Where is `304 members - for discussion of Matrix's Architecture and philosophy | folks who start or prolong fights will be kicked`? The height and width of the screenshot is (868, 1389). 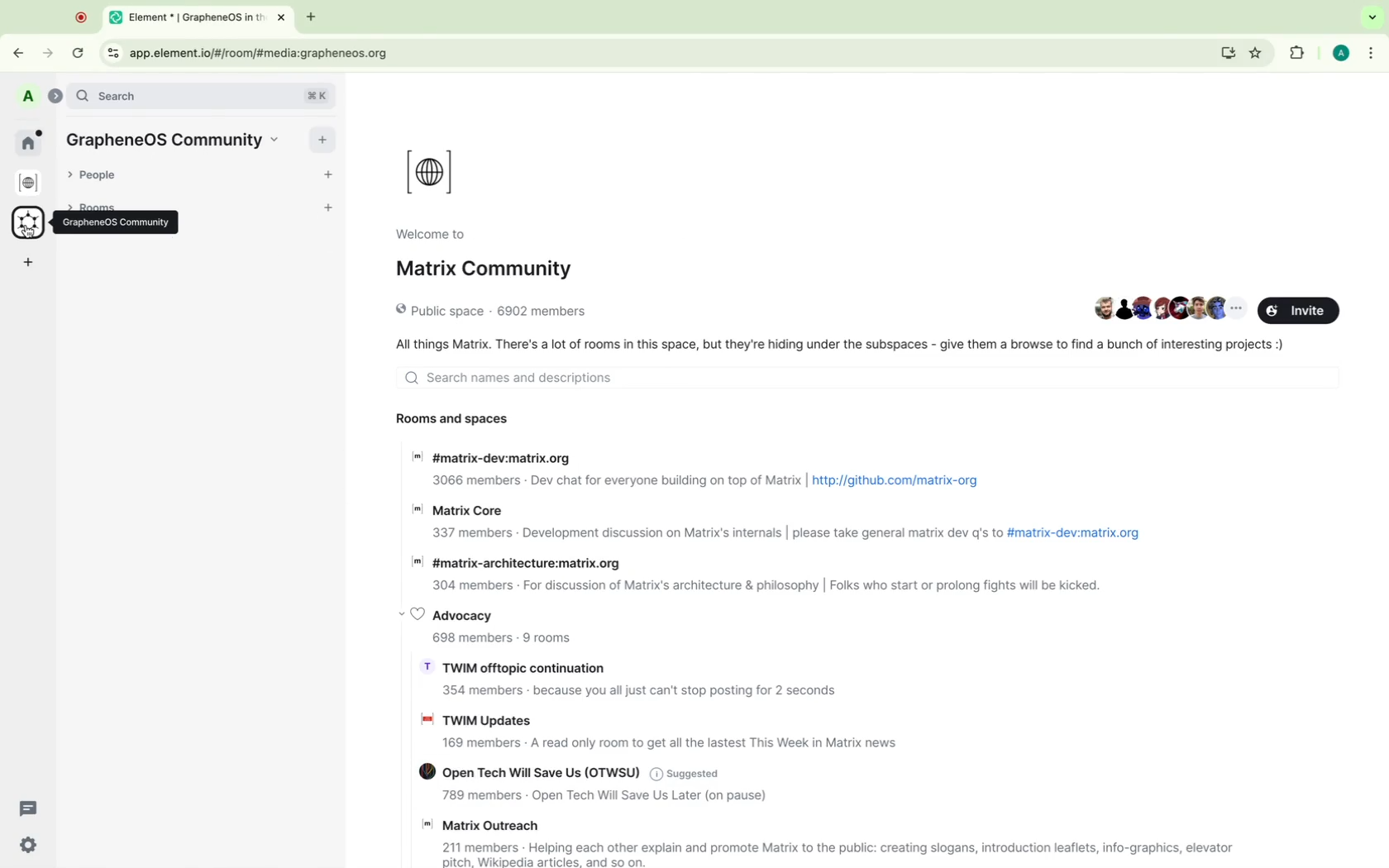 304 members - for discussion of Matrix's Architecture and philosophy | folks who start or prolong fights will be kicked is located at coordinates (757, 586).